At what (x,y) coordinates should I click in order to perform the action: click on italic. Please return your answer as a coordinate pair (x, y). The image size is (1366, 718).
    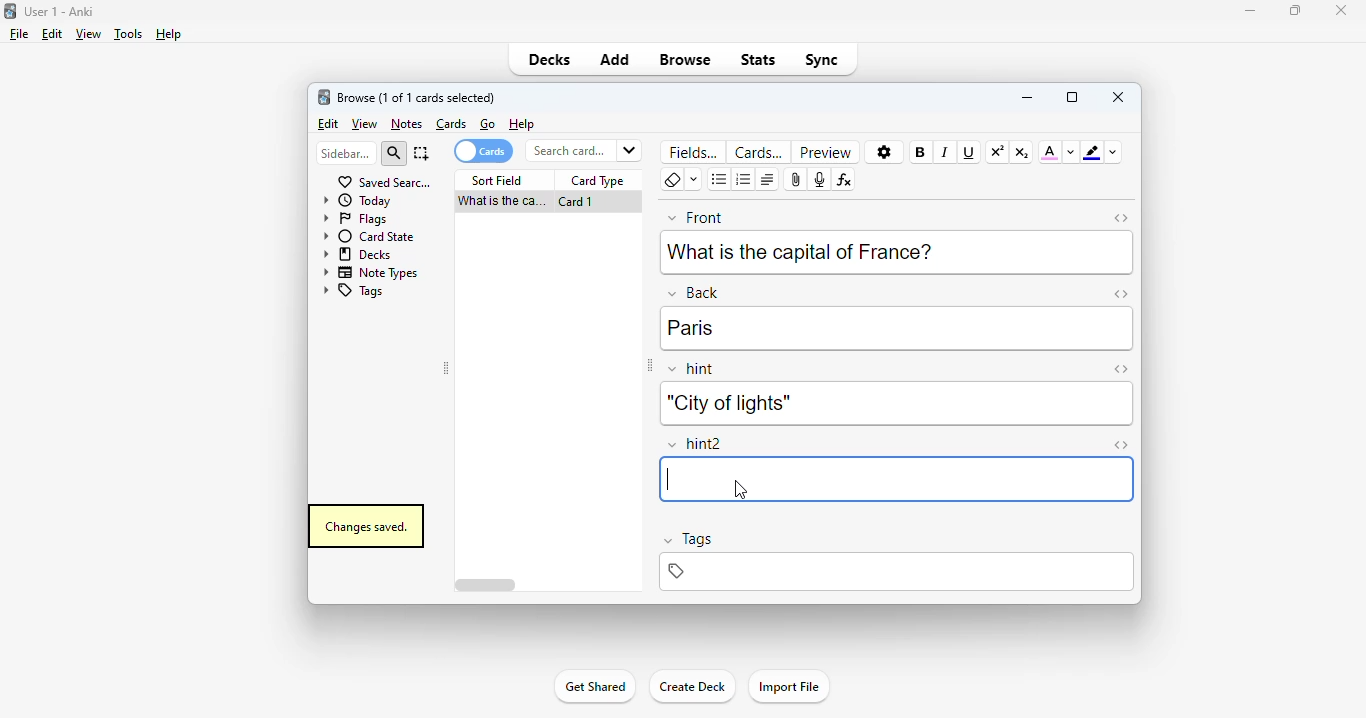
    Looking at the image, I should click on (944, 152).